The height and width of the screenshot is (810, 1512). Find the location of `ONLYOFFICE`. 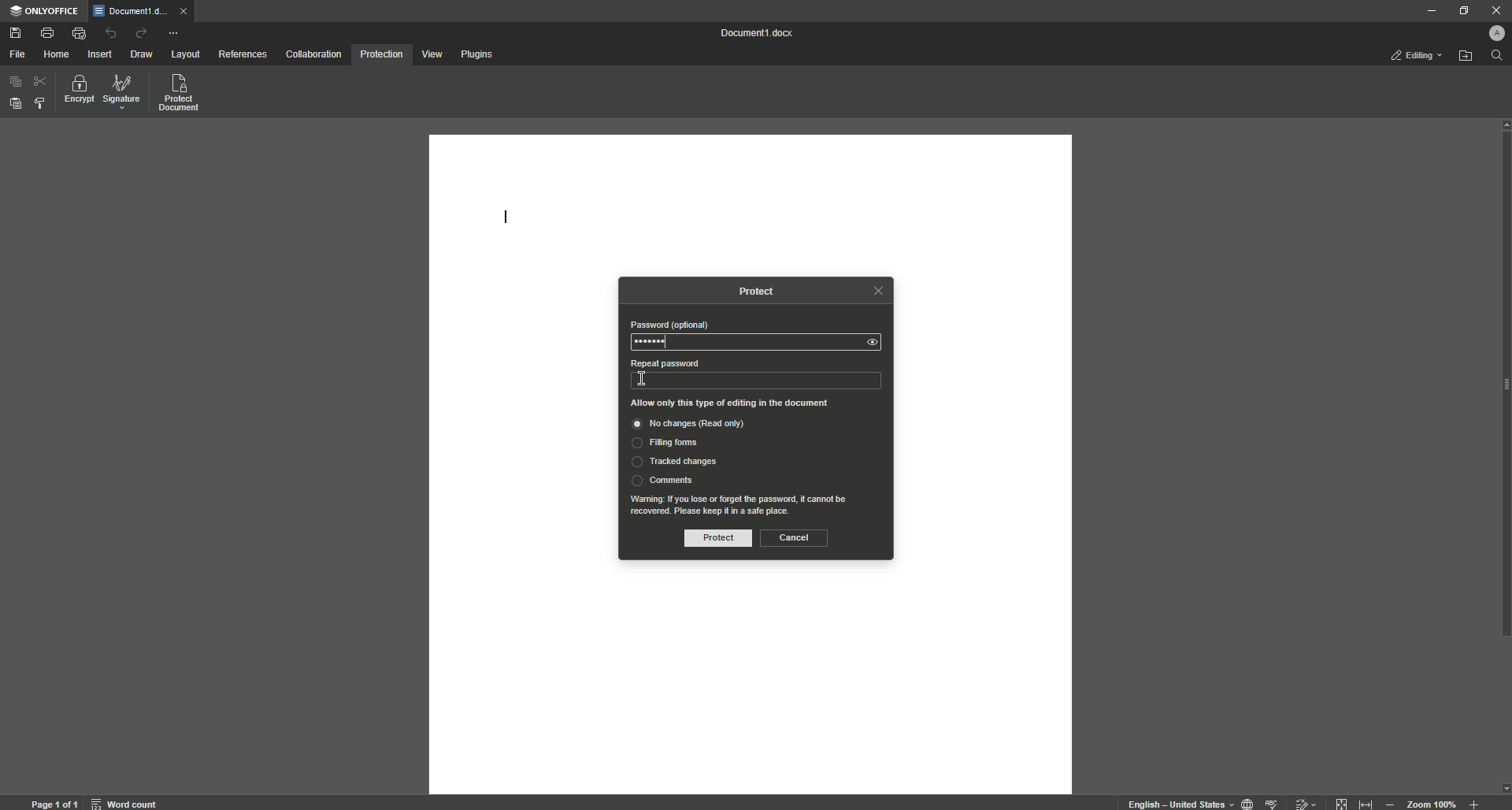

ONLYOFFICE is located at coordinates (46, 13).